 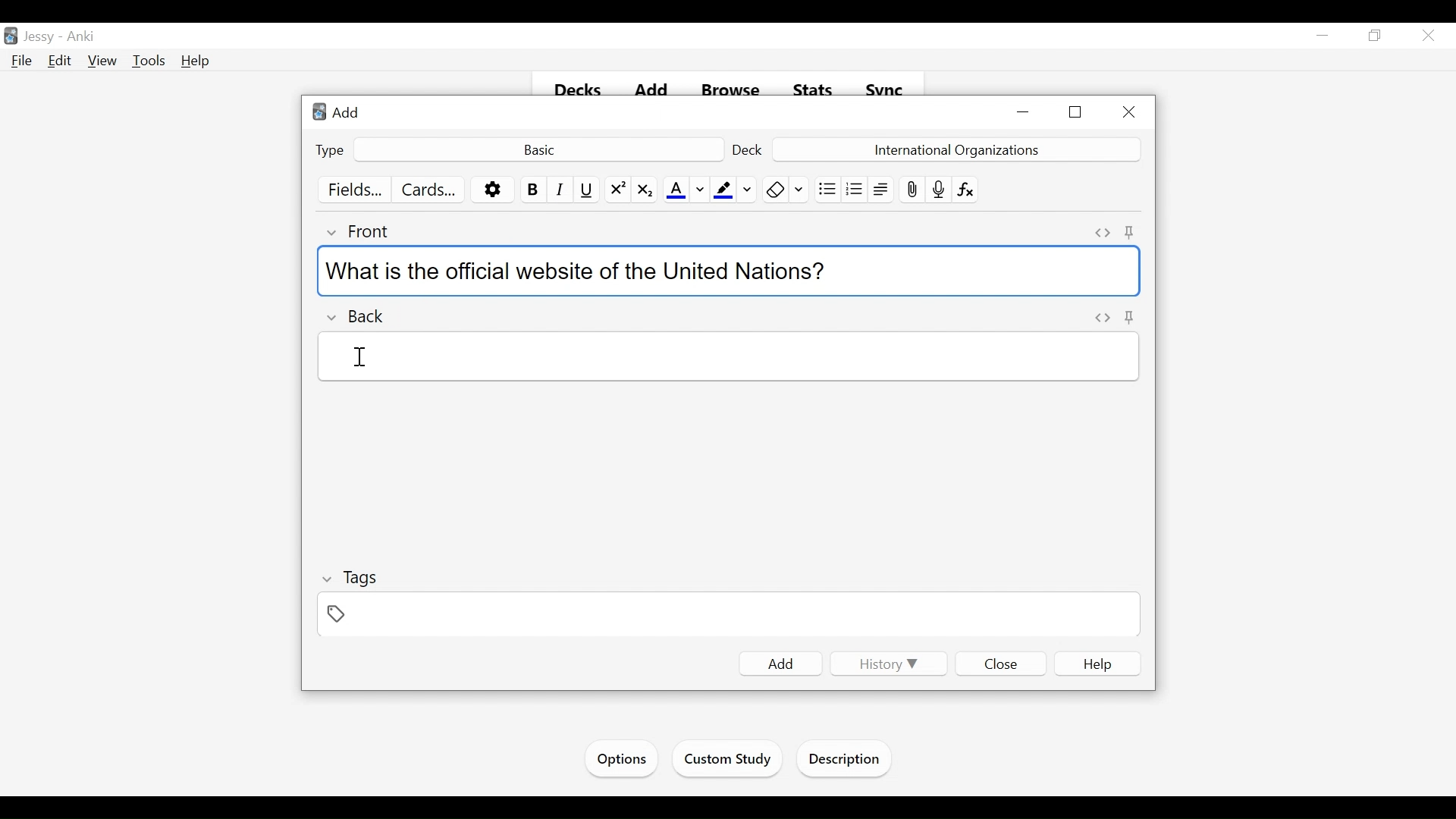 I want to click on Back Field, so click(x=726, y=357).